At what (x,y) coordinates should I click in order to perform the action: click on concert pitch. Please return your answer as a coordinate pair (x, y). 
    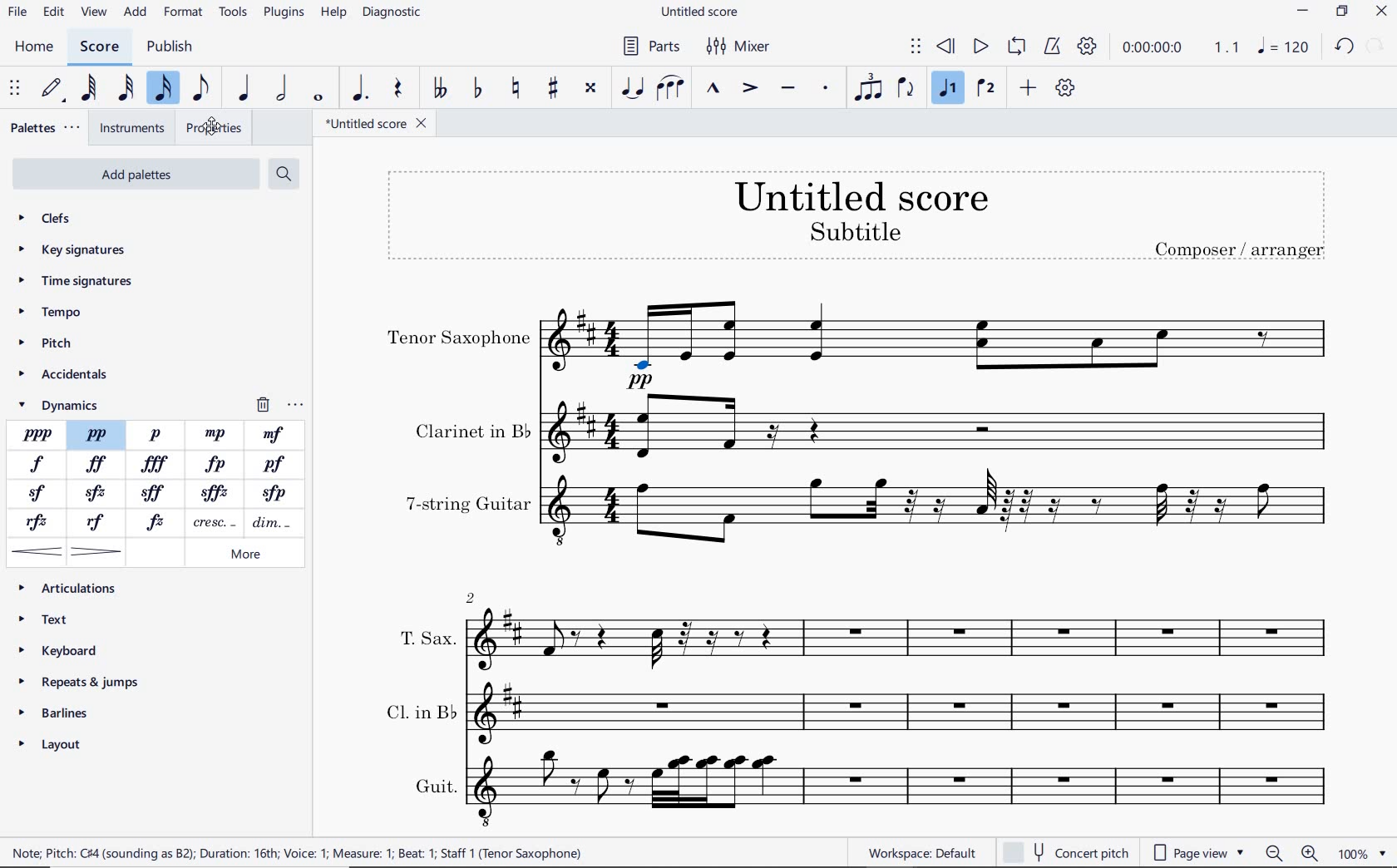
    Looking at the image, I should click on (1065, 850).